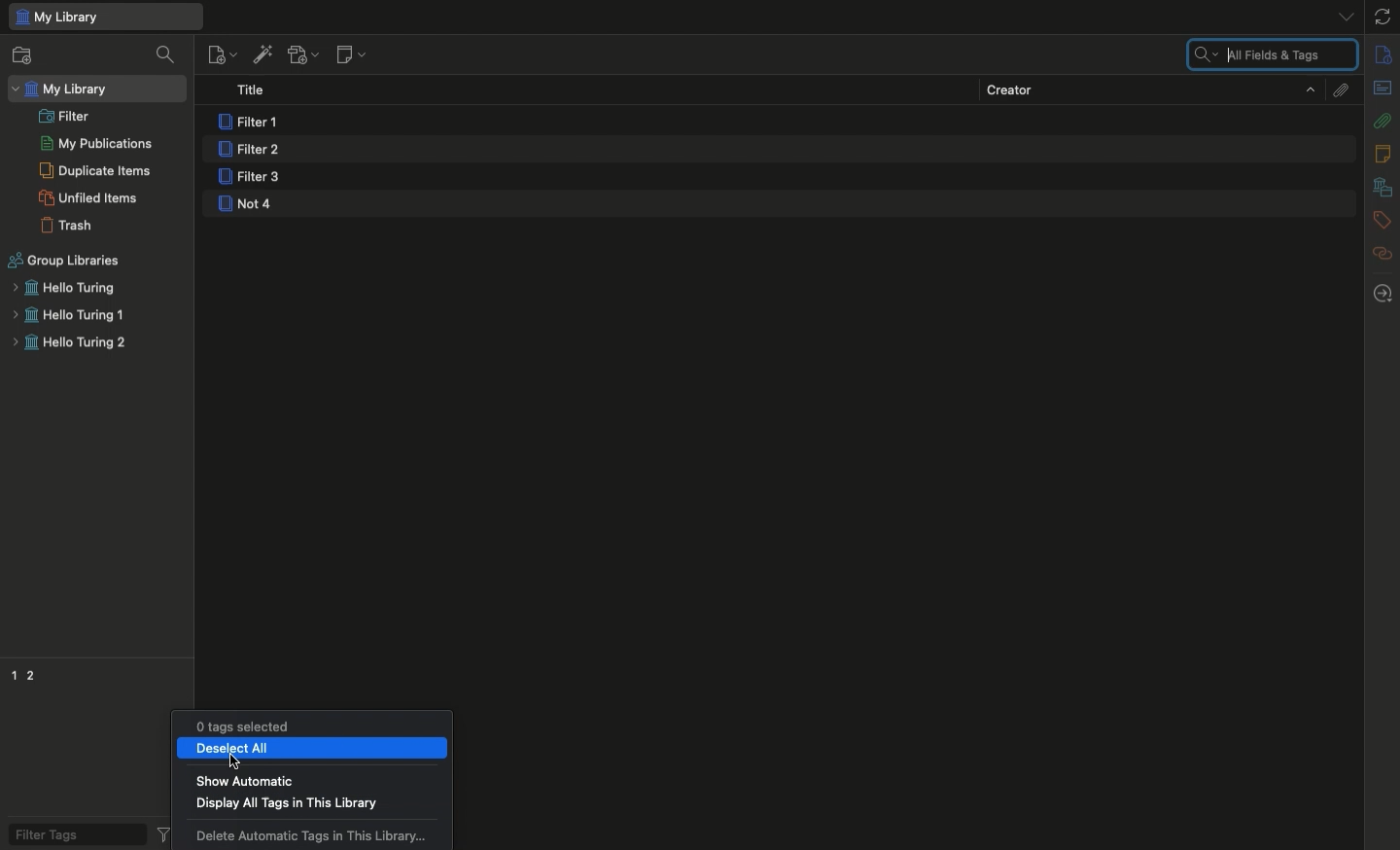 This screenshot has width=1400, height=850. I want to click on Show automatic, so click(244, 782).